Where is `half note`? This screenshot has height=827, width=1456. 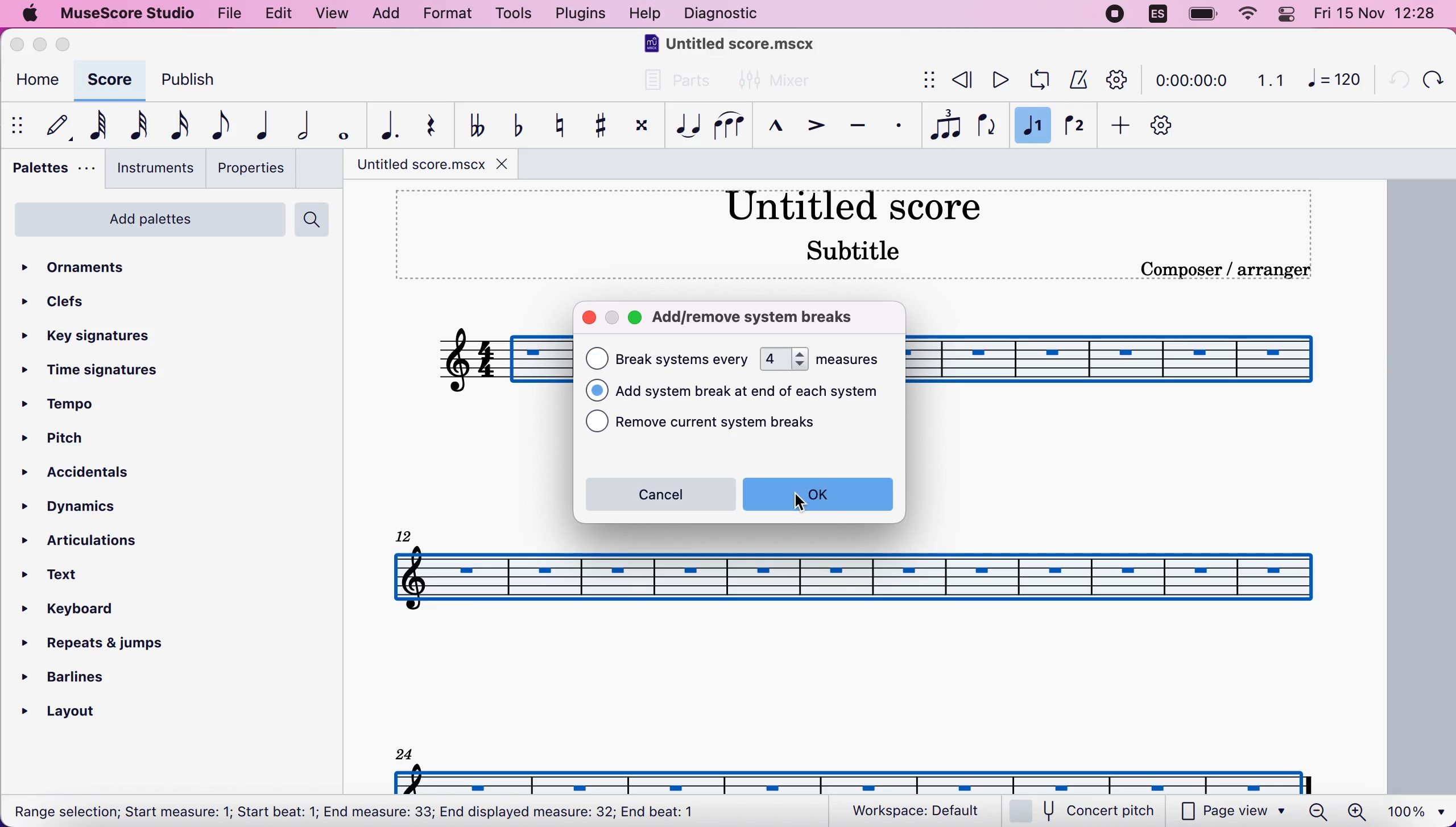
half note is located at coordinates (296, 126).